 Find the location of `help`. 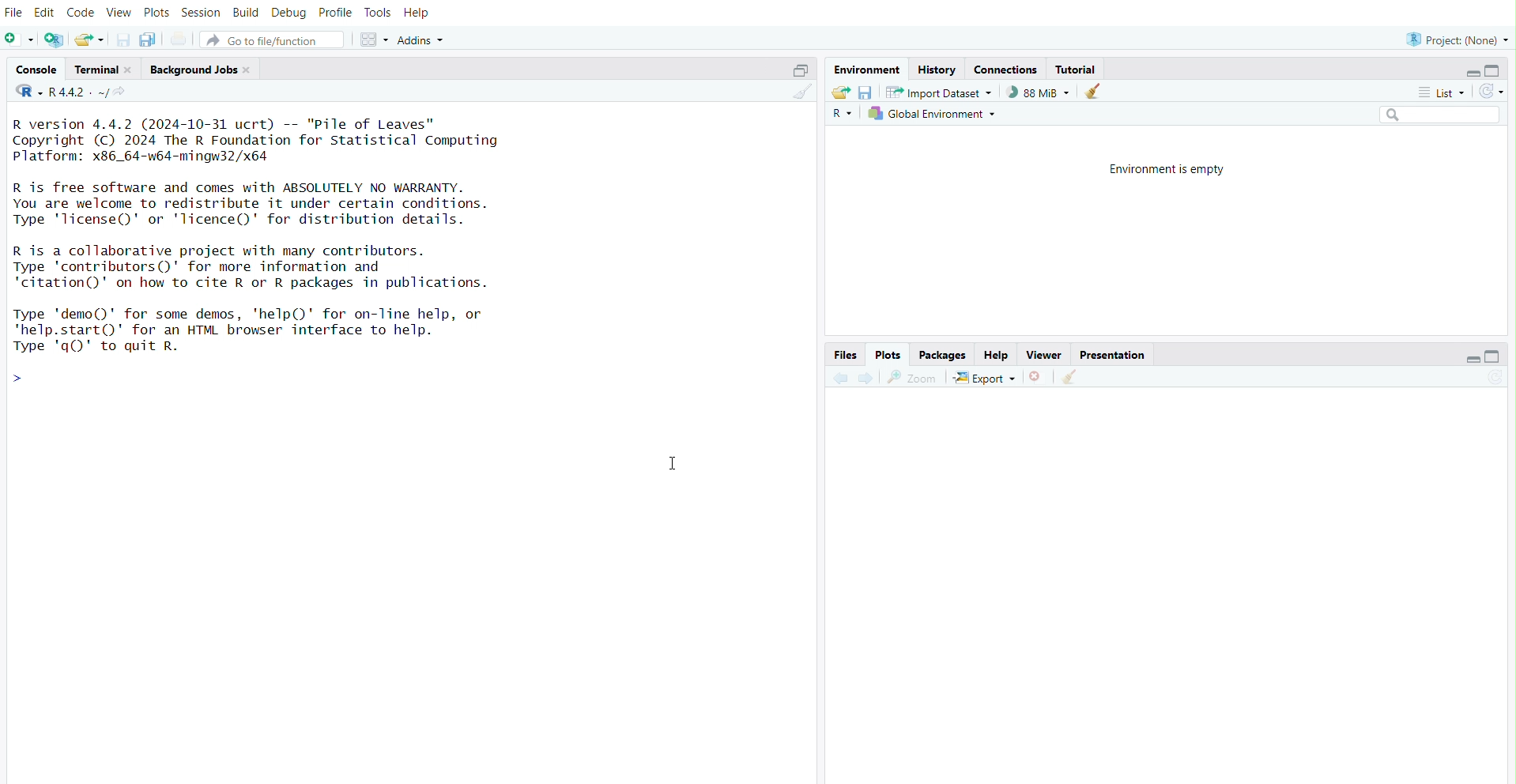

help is located at coordinates (999, 353).